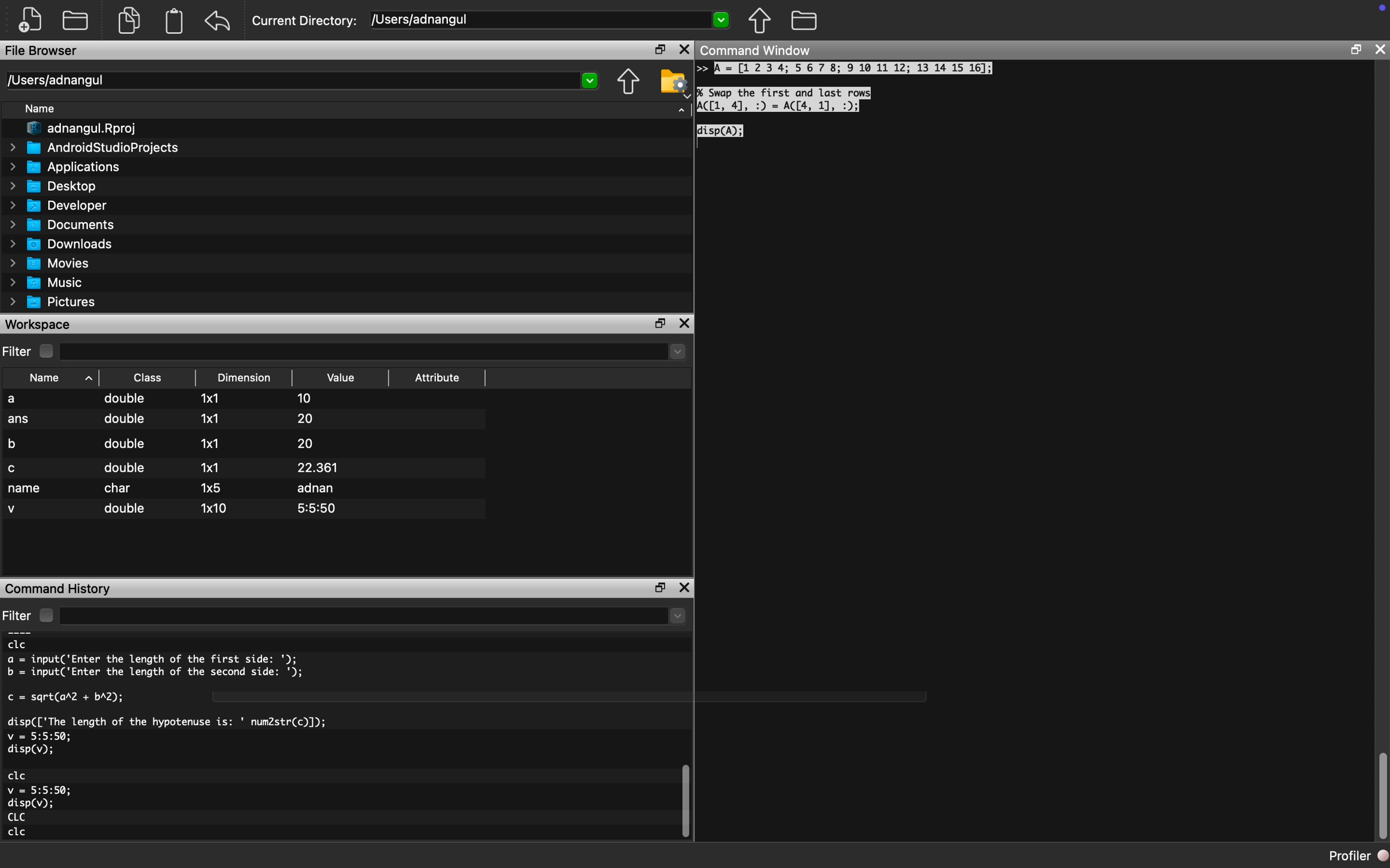  What do you see at coordinates (62, 245) in the screenshot?
I see `> [@ Downloads` at bounding box center [62, 245].